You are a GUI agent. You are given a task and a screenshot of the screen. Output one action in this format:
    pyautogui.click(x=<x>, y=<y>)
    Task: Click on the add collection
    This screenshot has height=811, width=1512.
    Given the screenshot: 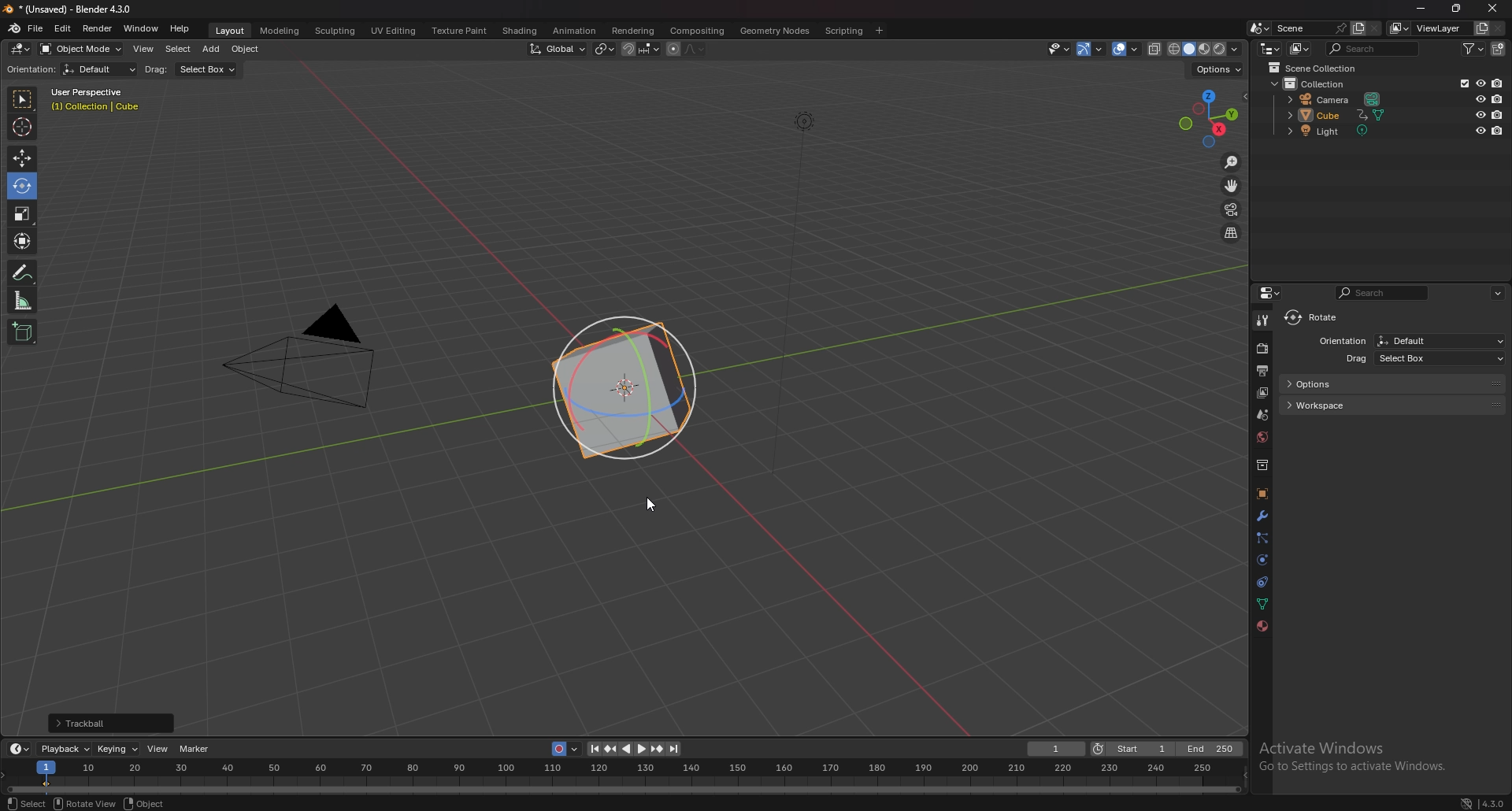 What is the action you would take?
    pyautogui.click(x=1498, y=49)
    